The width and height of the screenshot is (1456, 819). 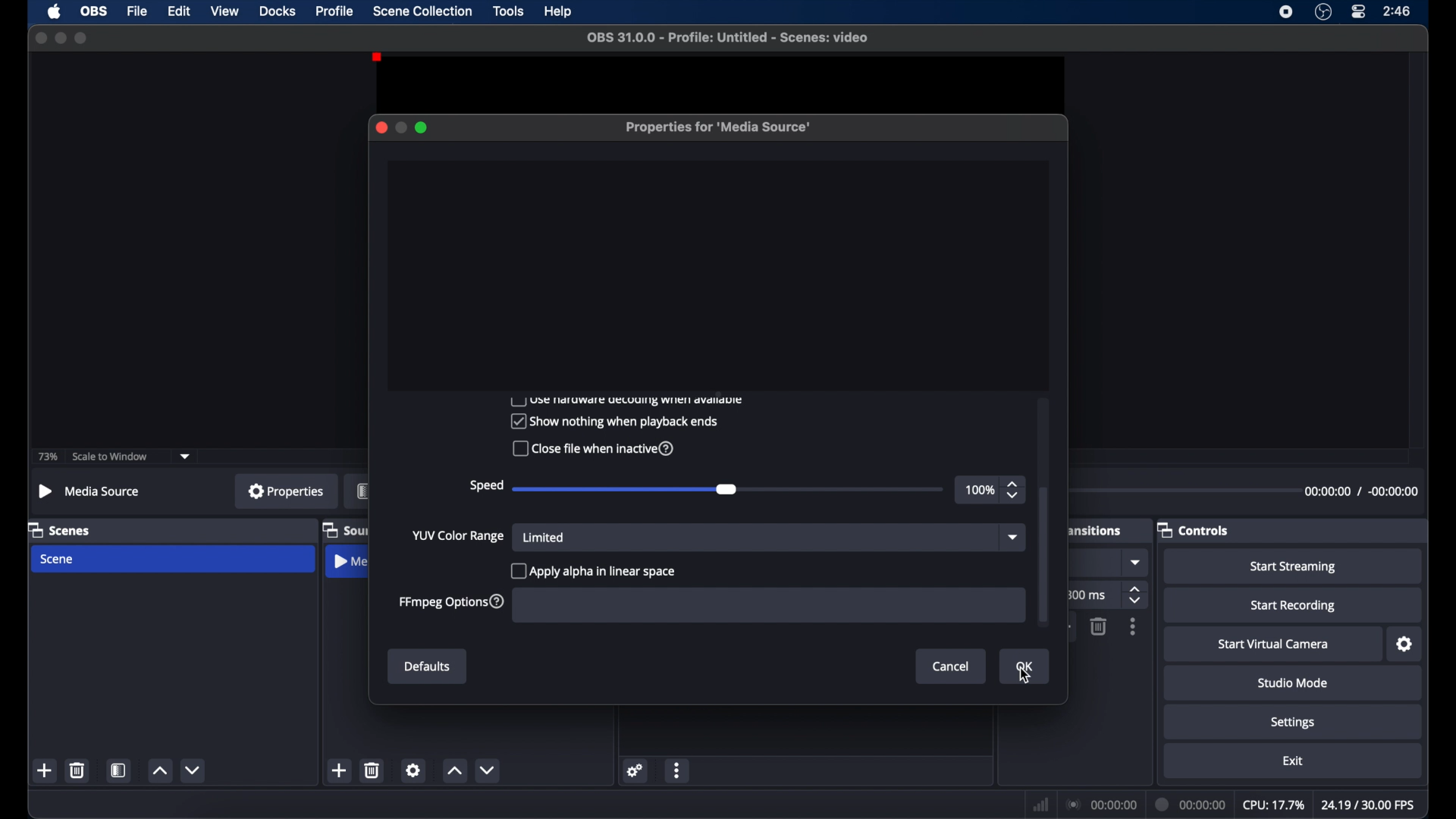 What do you see at coordinates (491, 770) in the screenshot?
I see `decrement` at bounding box center [491, 770].